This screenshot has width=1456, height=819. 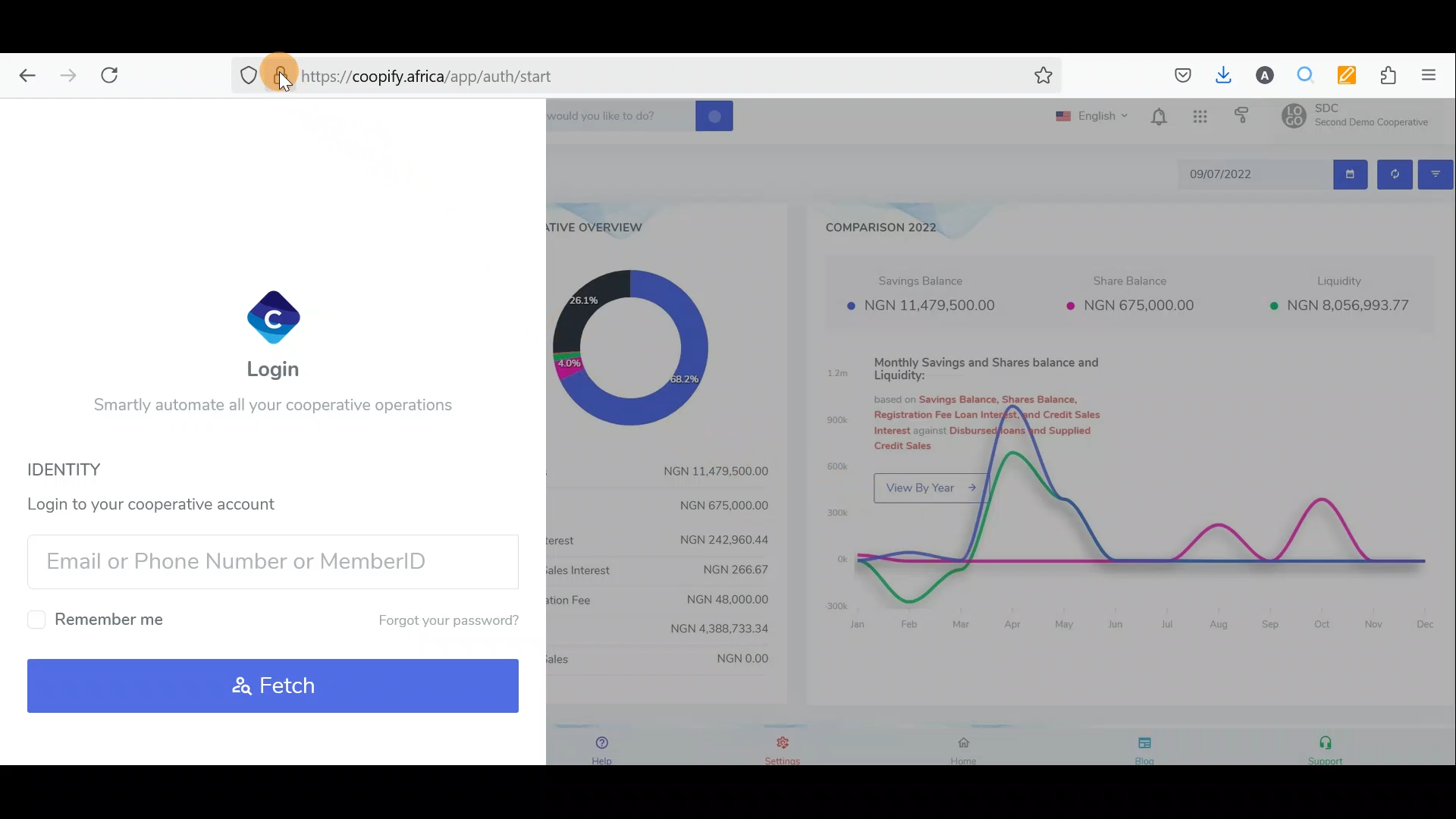 What do you see at coordinates (1177, 76) in the screenshot?
I see `Save to pocket` at bounding box center [1177, 76].